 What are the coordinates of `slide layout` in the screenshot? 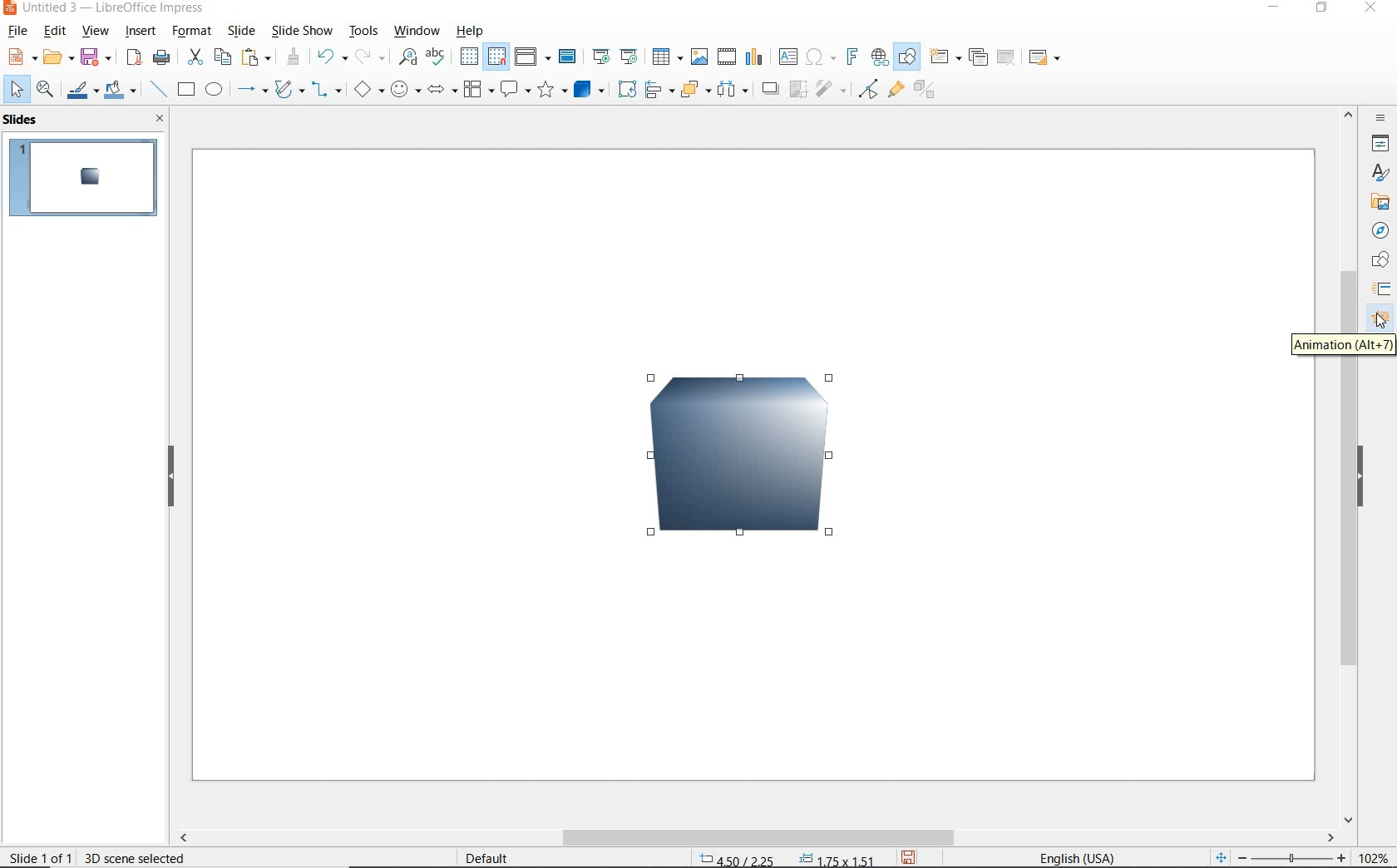 It's located at (1046, 58).